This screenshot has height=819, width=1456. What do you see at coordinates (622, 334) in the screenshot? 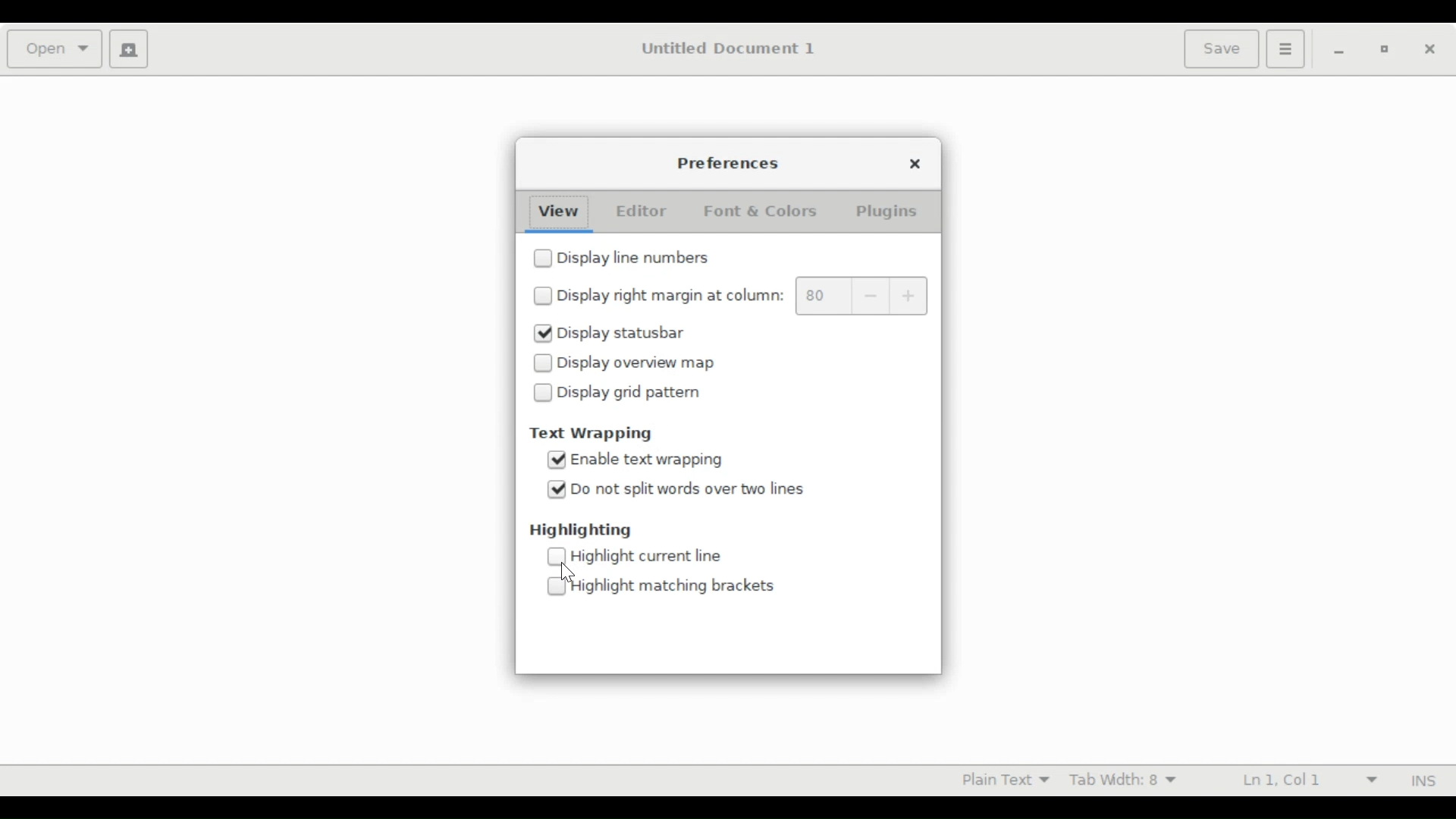
I see `Display statusbar` at bounding box center [622, 334].